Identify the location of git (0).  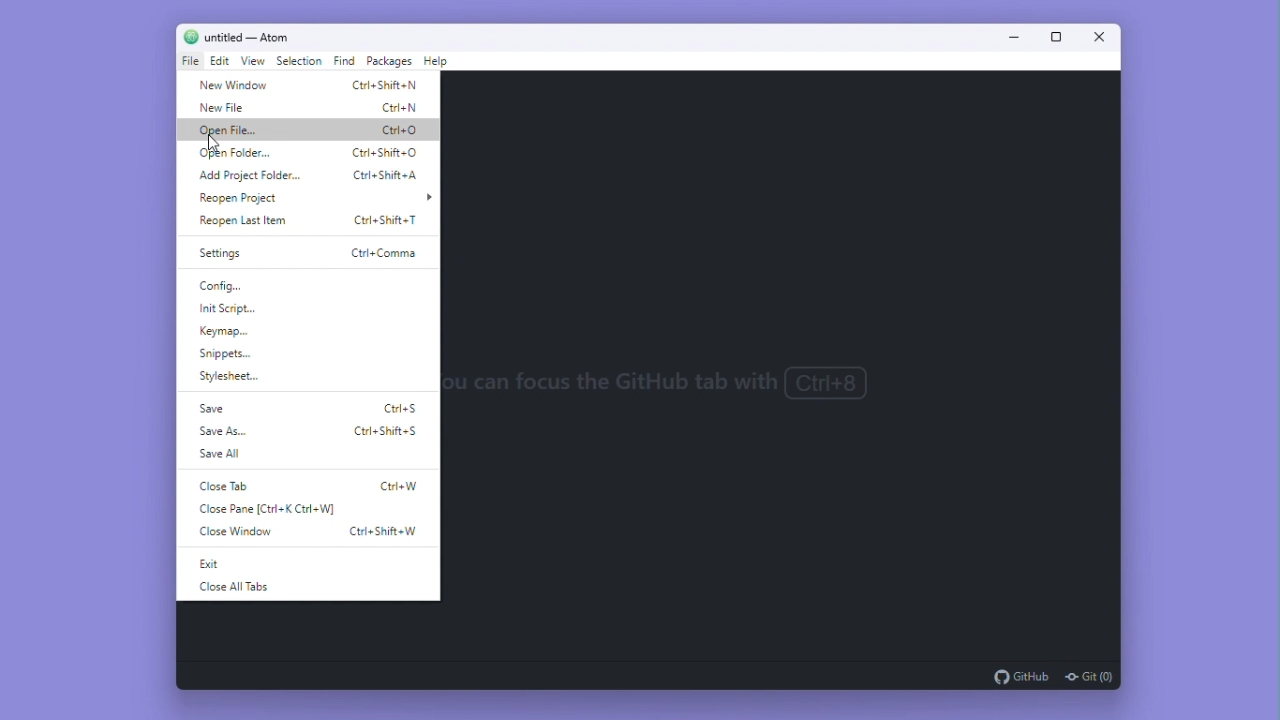
(1087, 676).